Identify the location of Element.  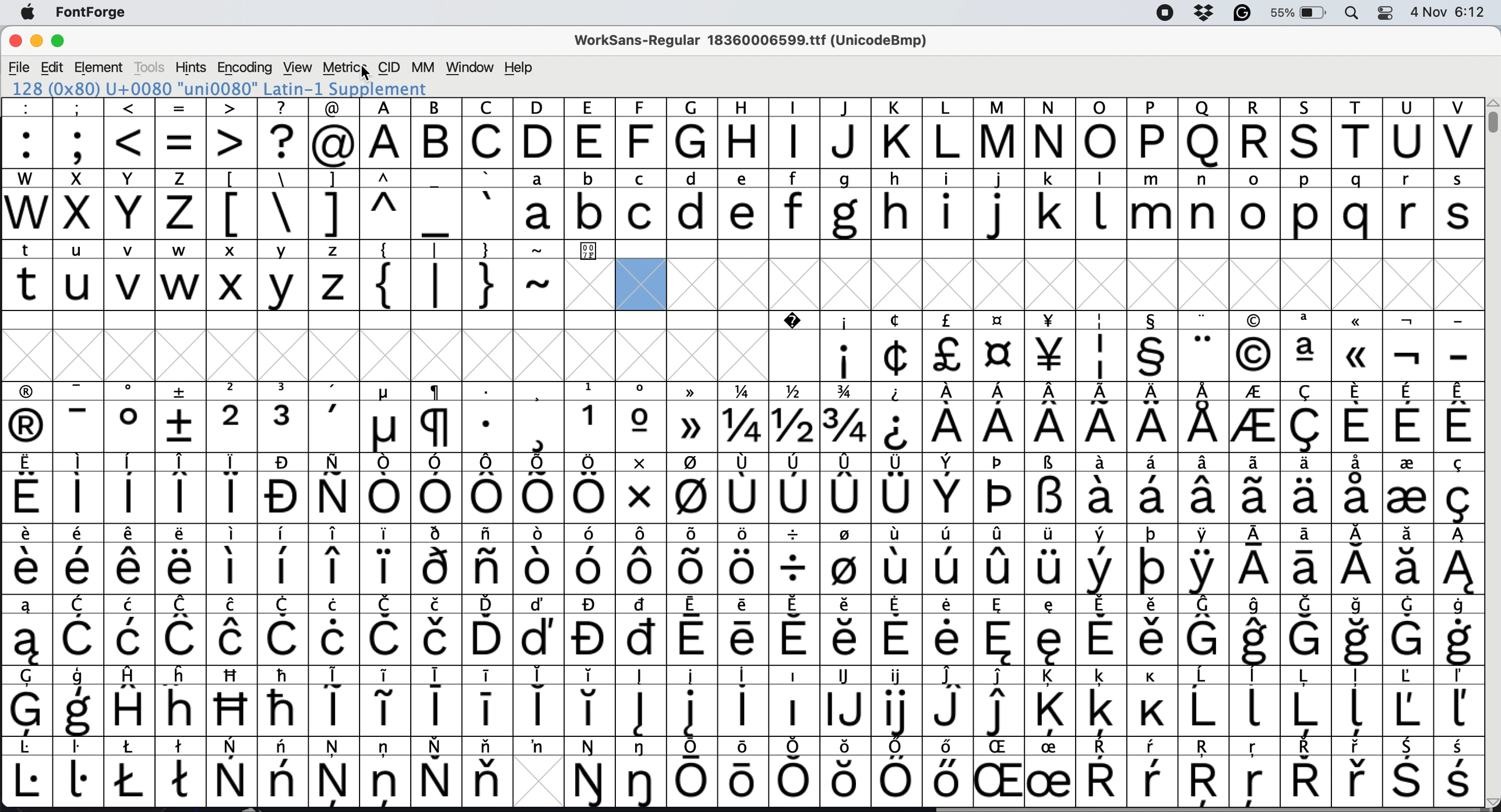
(100, 68).